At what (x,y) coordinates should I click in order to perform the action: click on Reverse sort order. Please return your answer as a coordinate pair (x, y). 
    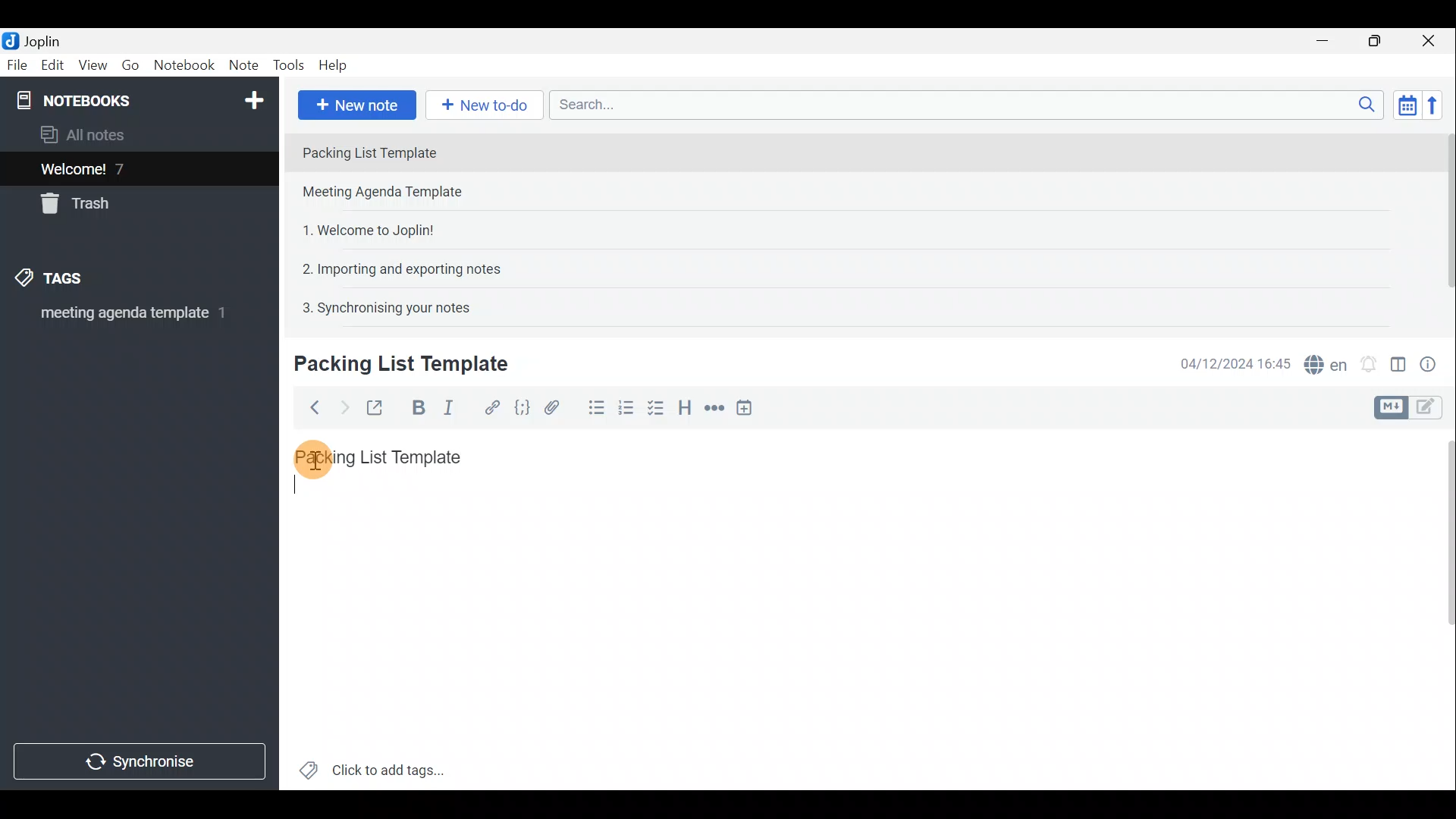
    Looking at the image, I should click on (1438, 104).